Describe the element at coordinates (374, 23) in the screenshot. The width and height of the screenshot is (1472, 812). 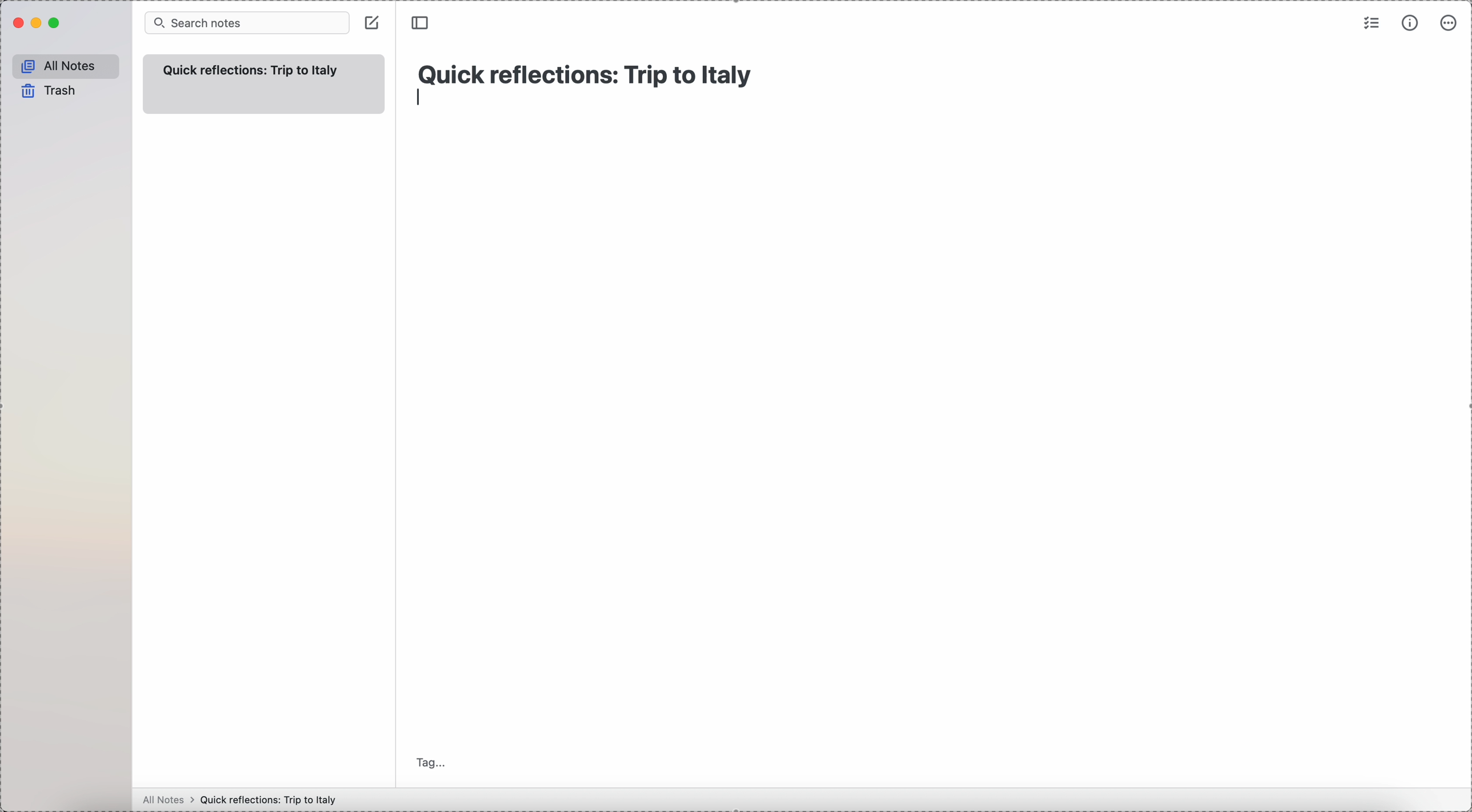
I see `click on create note` at that location.